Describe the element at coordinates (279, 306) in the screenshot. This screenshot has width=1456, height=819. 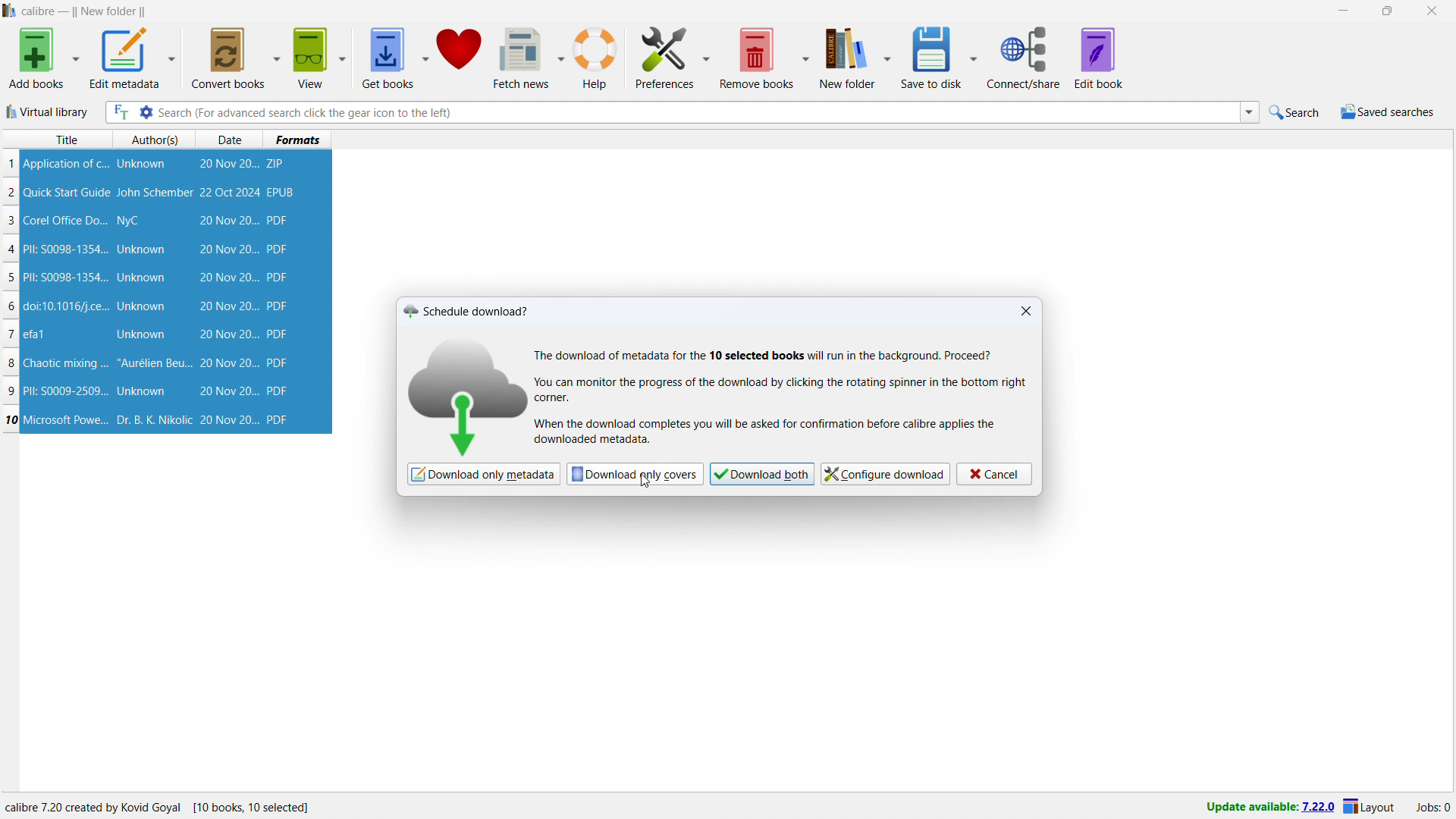
I see `PDF` at that location.